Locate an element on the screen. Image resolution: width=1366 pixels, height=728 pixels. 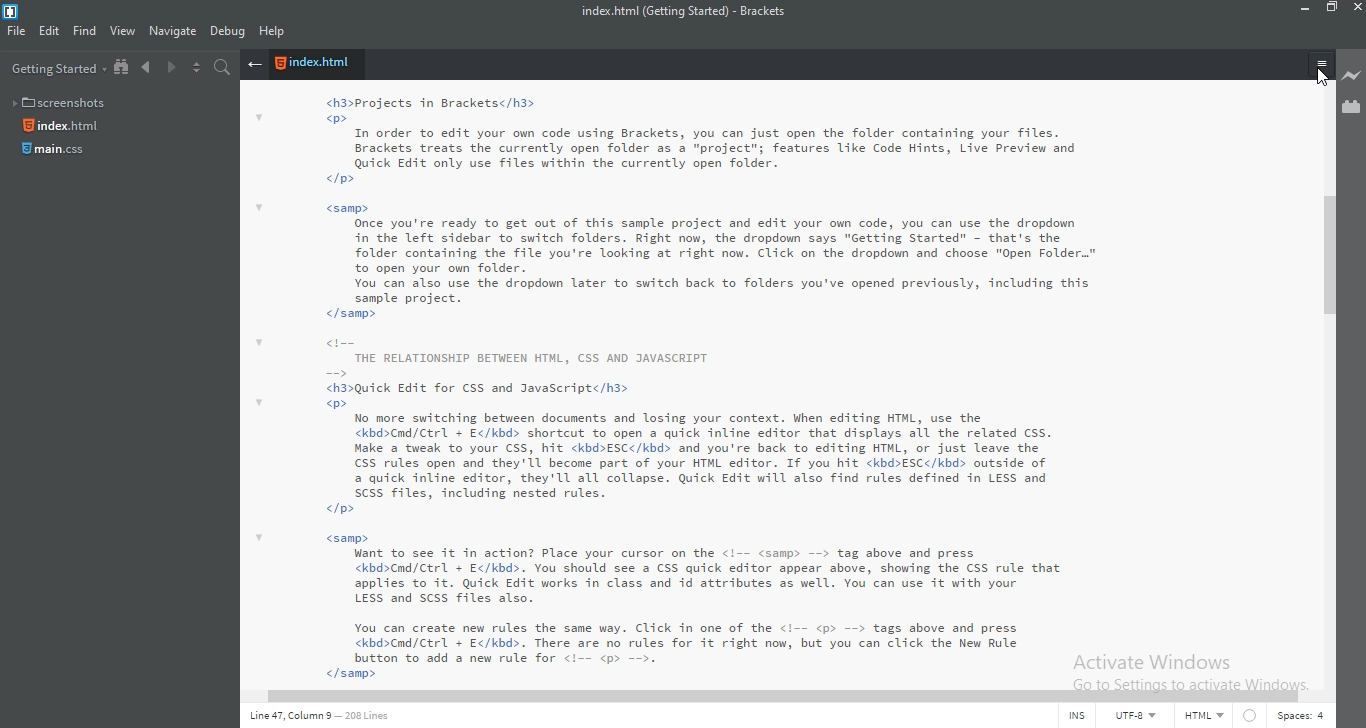
Debug is located at coordinates (228, 33).